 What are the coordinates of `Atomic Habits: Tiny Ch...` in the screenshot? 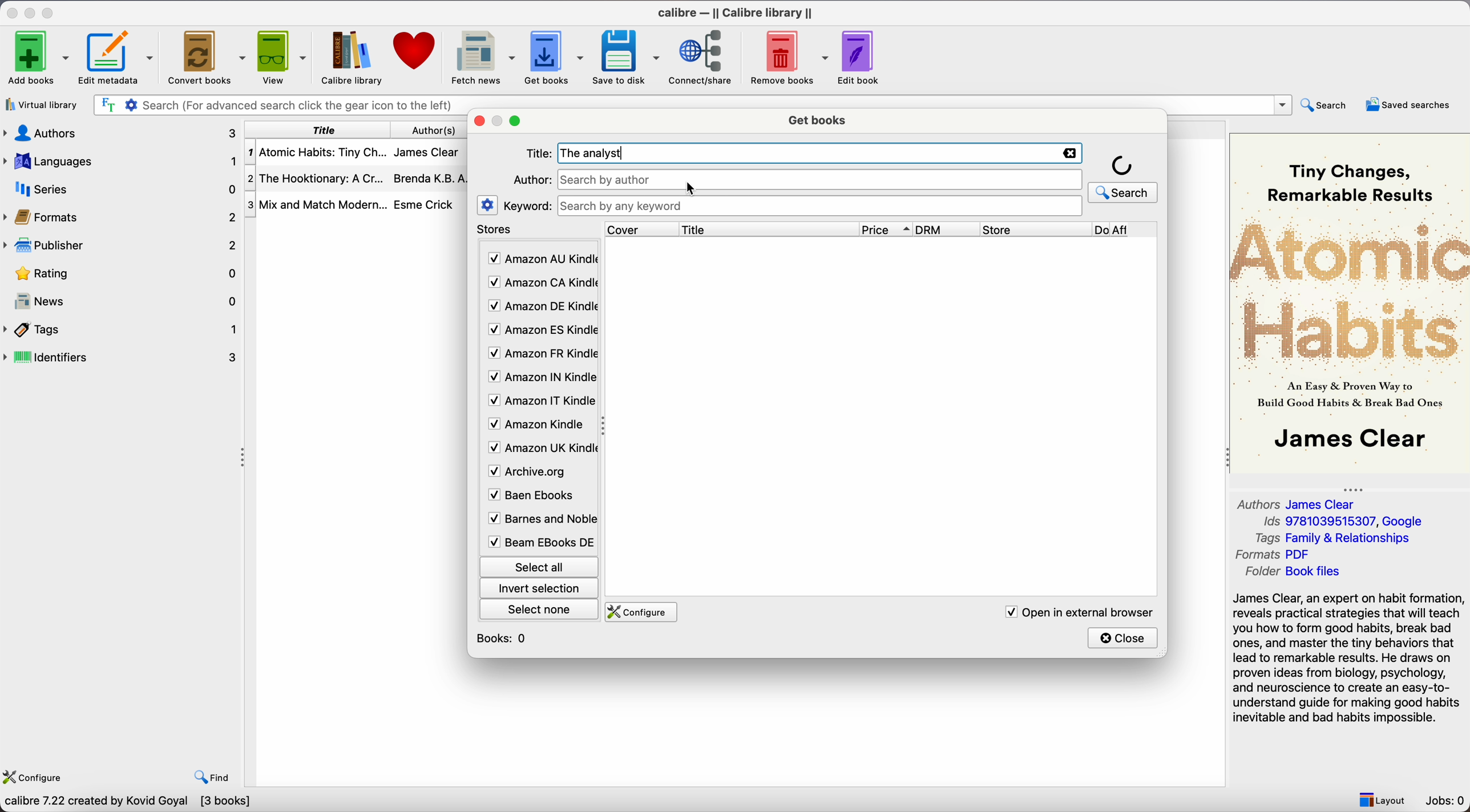 It's located at (320, 152).